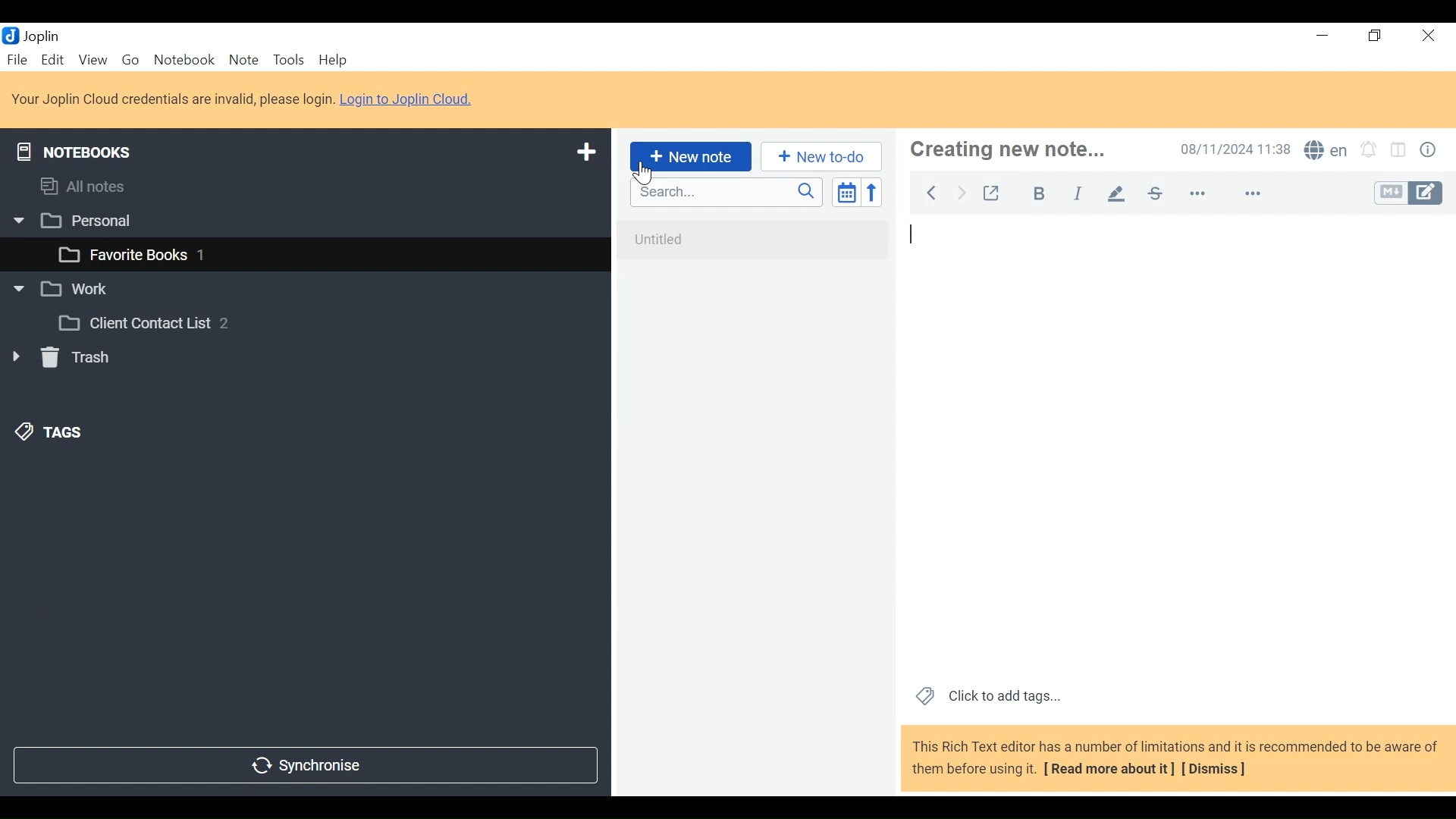  I want to click on Toggle Editor, so click(1413, 193).